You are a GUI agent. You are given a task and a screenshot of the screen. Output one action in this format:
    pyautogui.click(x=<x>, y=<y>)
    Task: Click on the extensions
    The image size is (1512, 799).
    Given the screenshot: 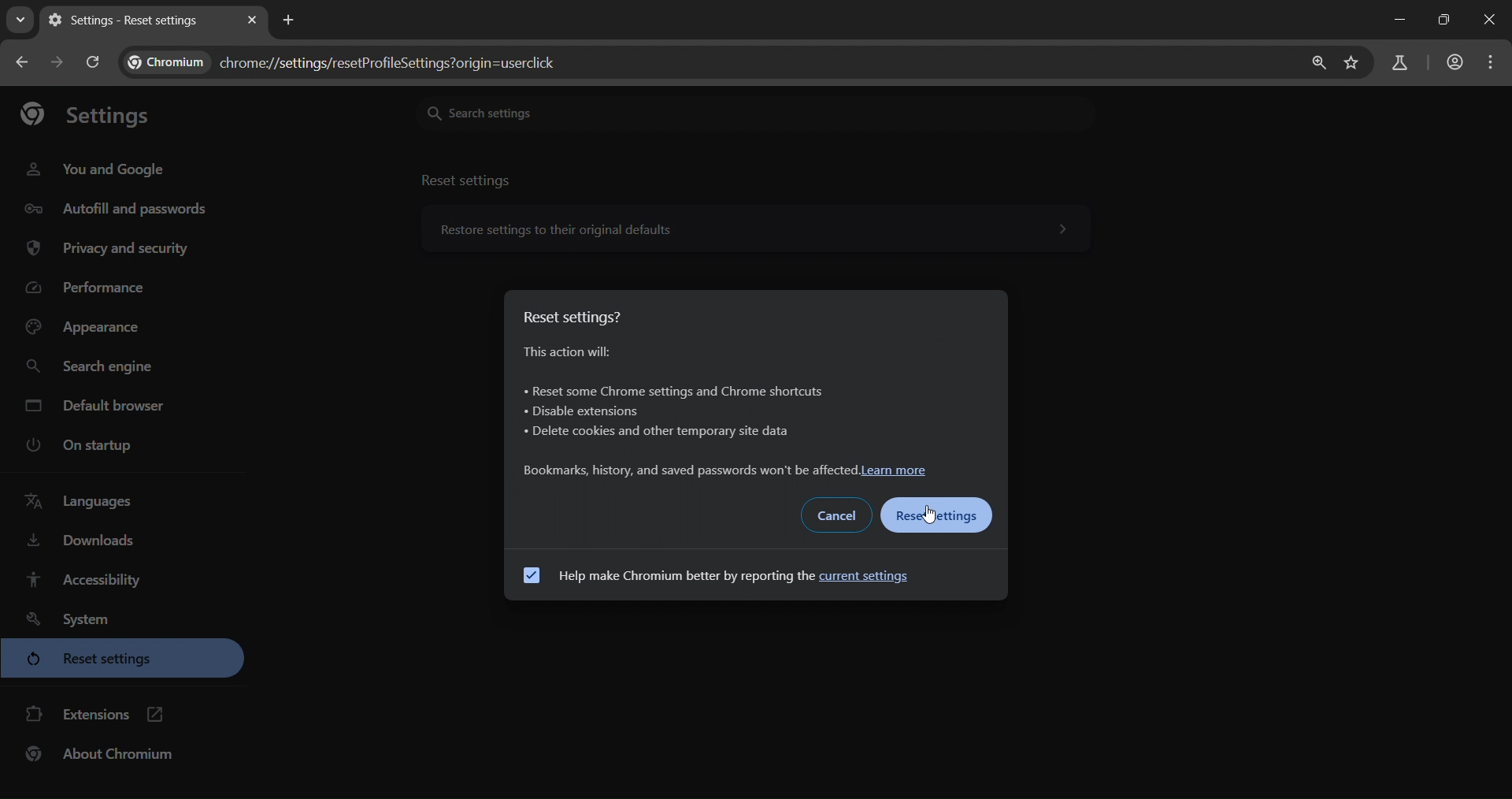 What is the action you would take?
    pyautogui.click(x=95, y=713)
    